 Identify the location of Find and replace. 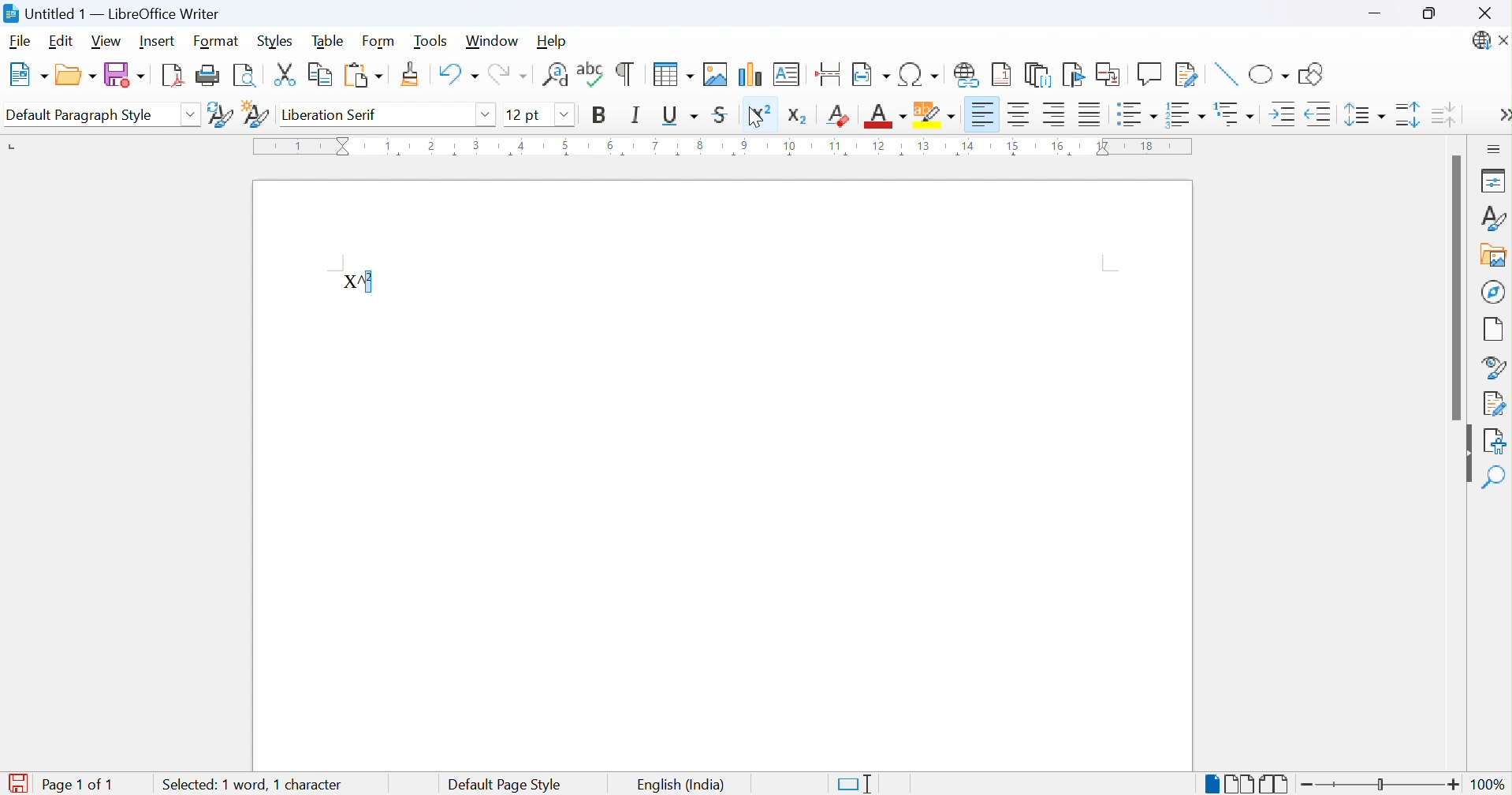
(556, 73).